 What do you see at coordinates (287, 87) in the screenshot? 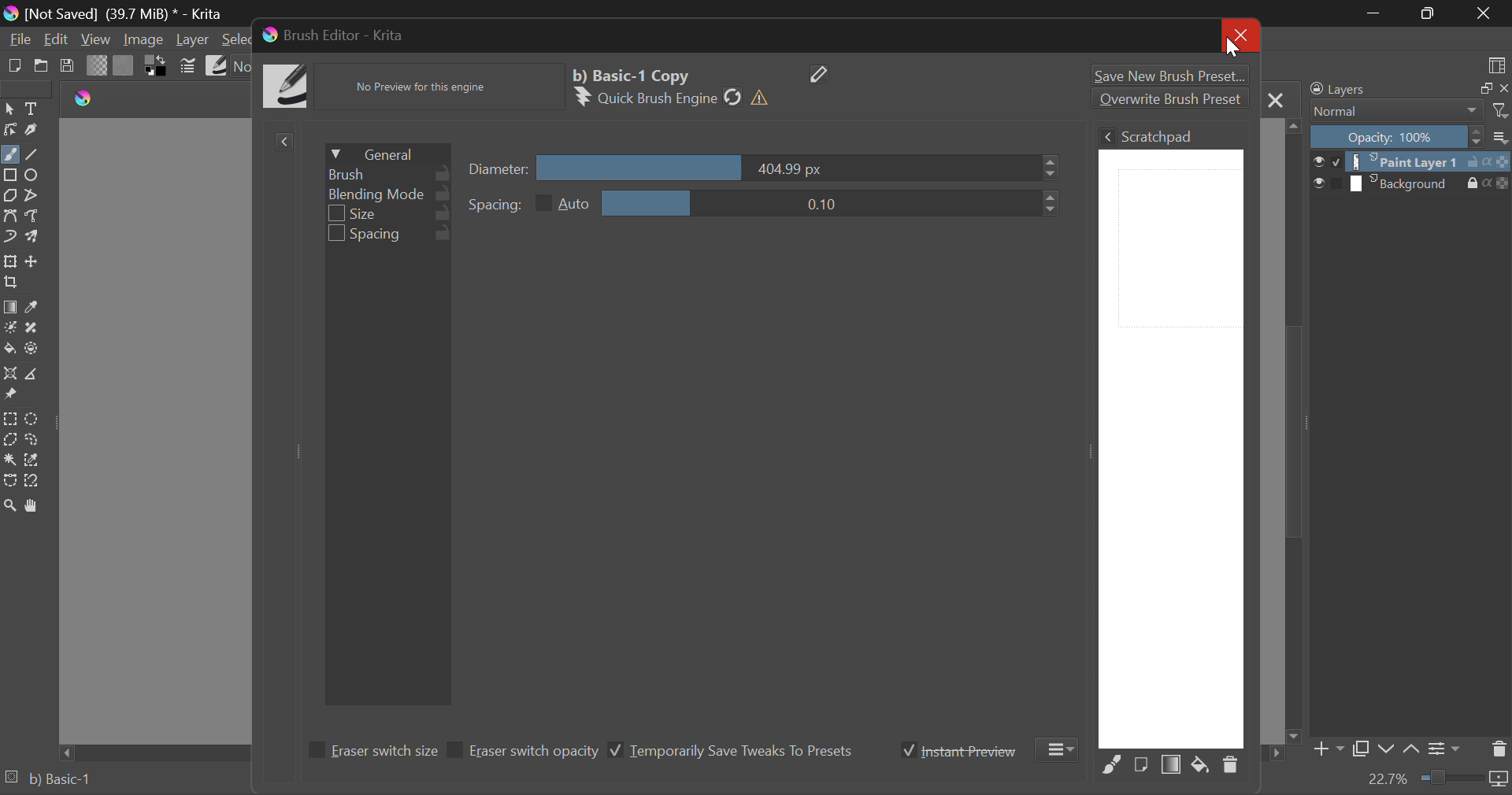
I see `Brush Icon` at bounding box center [287, 87].